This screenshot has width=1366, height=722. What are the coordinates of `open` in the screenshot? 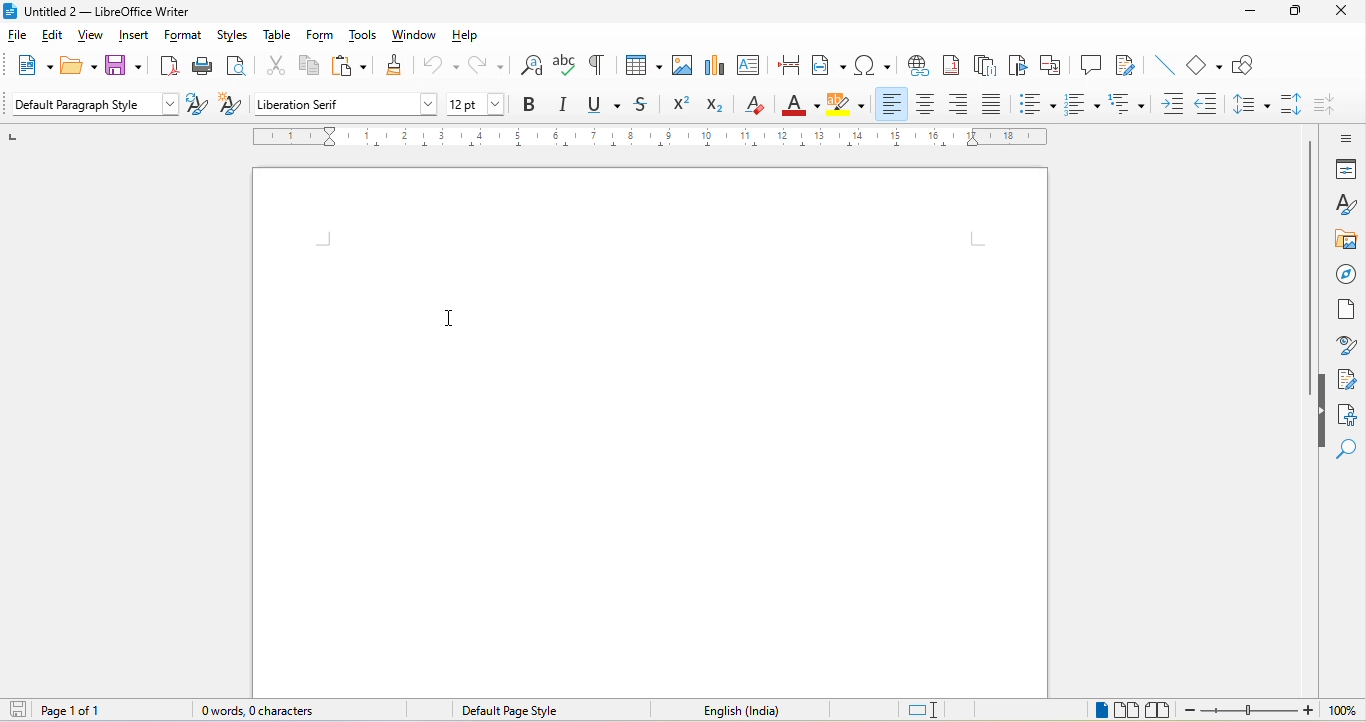 It's located at (80, 64).